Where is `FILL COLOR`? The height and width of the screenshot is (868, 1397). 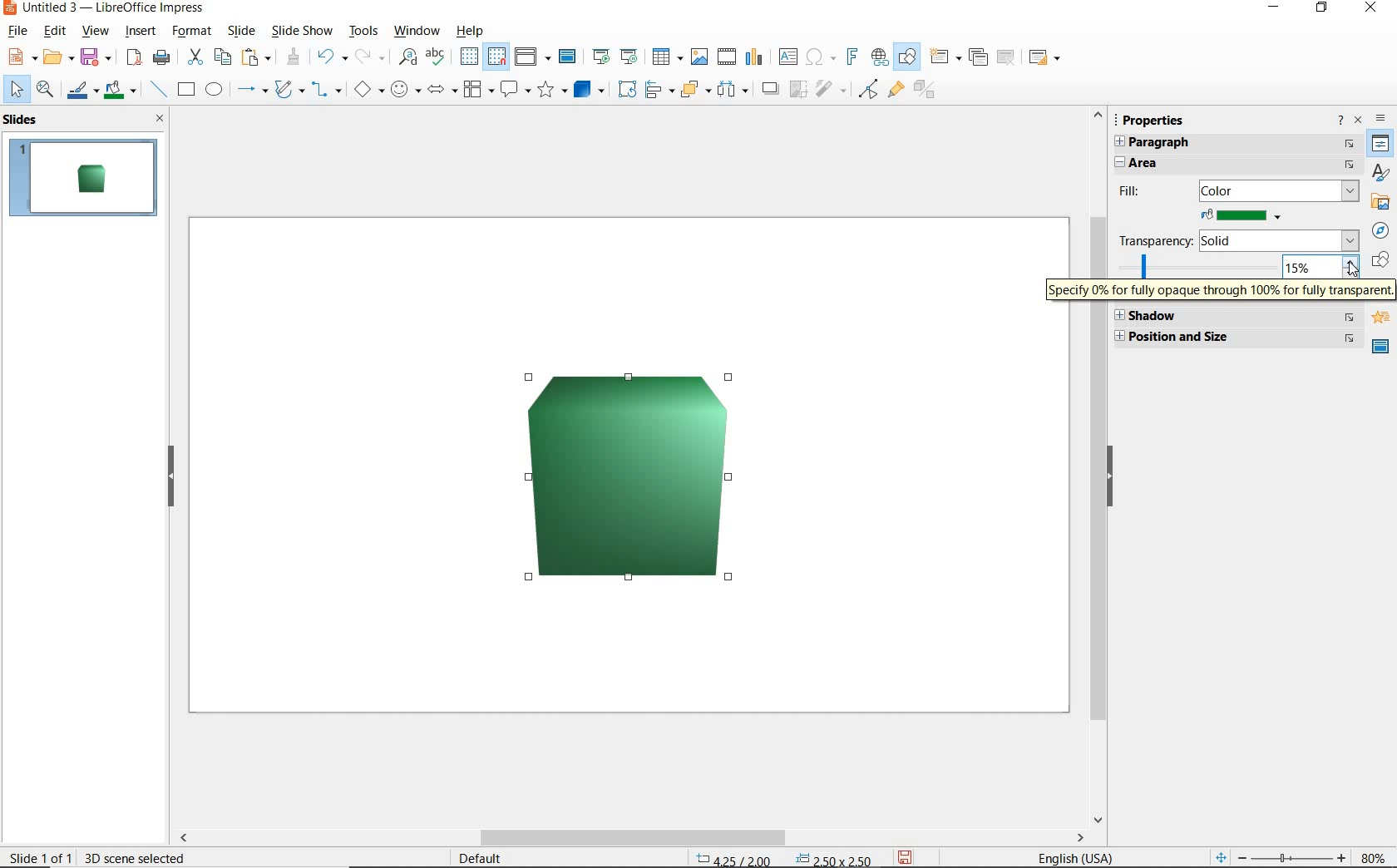
FILL COLOR is located at coordinates (1243, 214).